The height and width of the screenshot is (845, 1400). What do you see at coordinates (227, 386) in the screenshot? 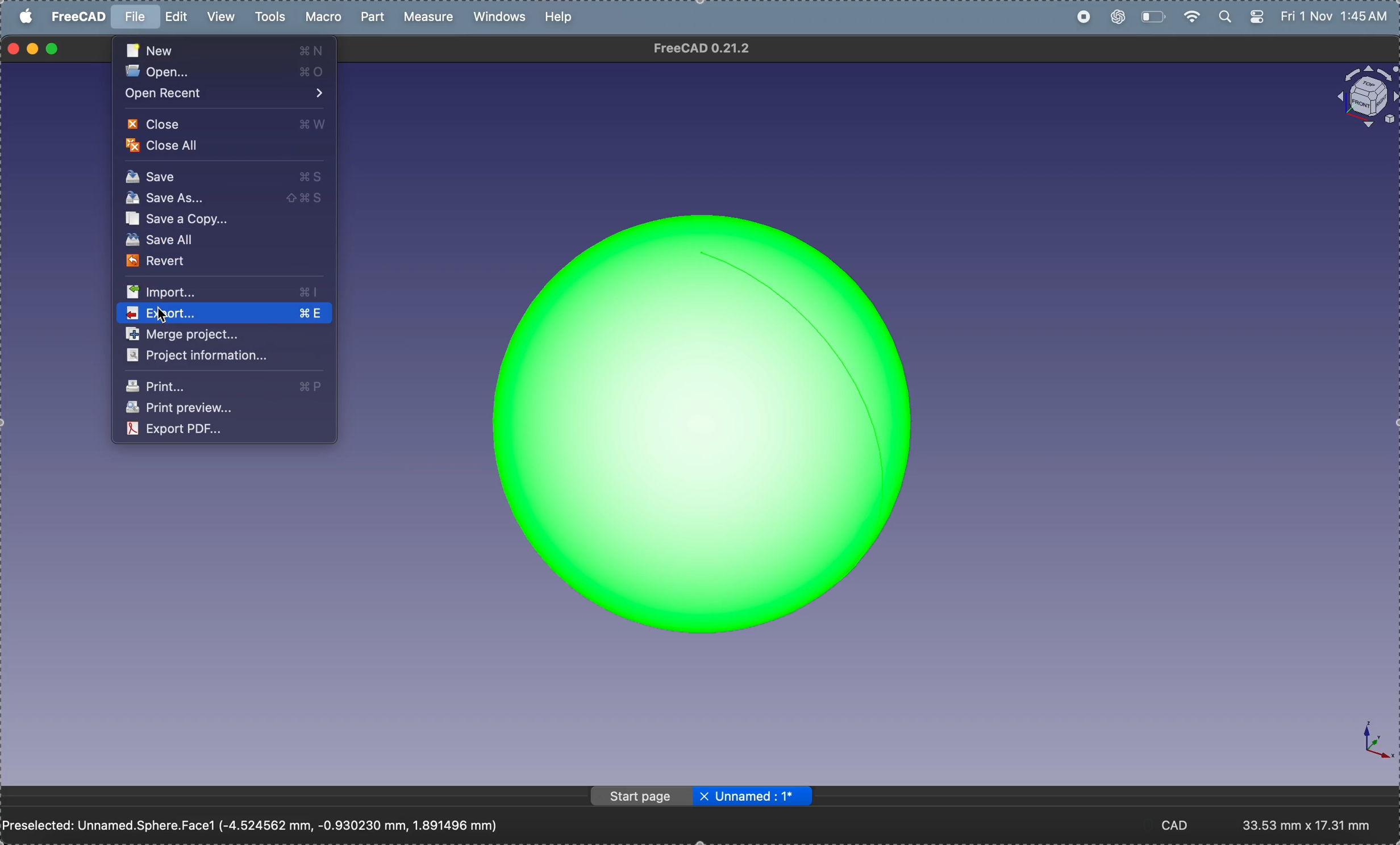
I see `print` at bounding box center [227, 386].